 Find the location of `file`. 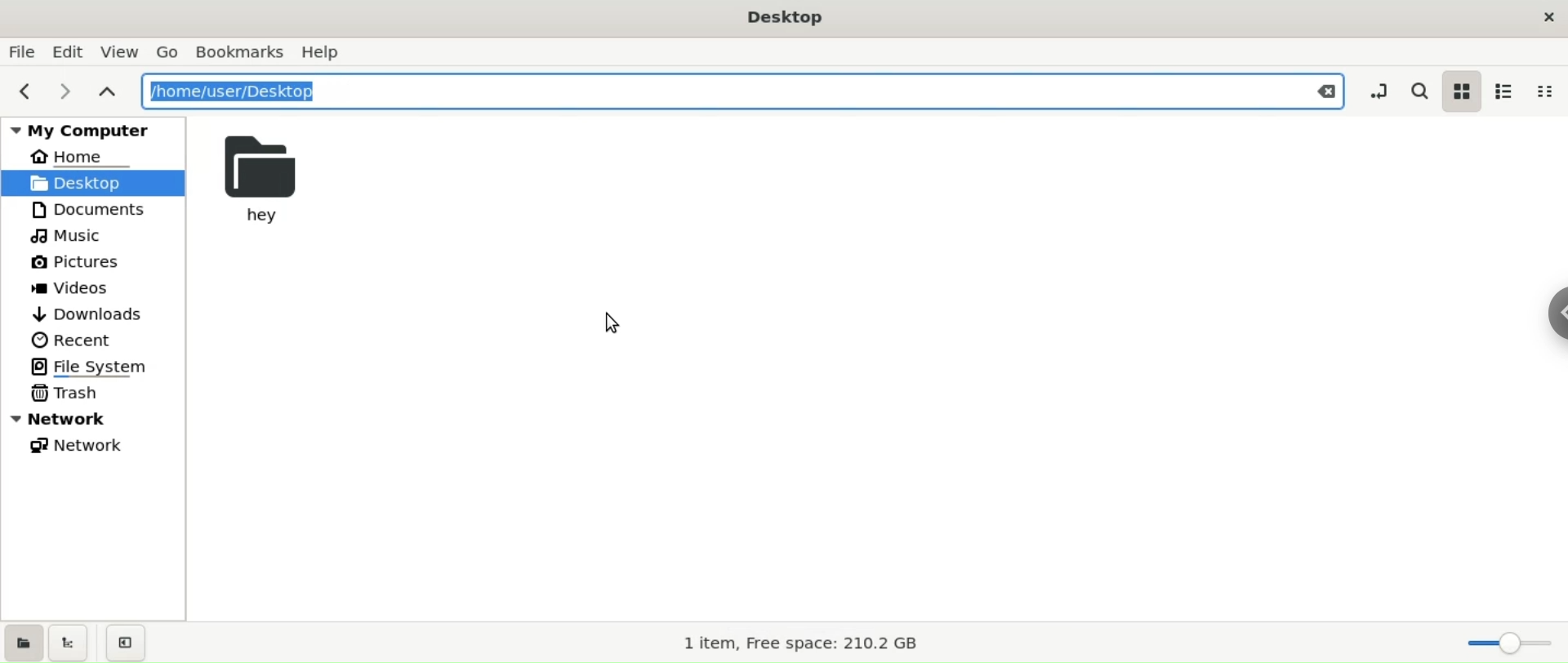

file is located at coordinates (24, 53).